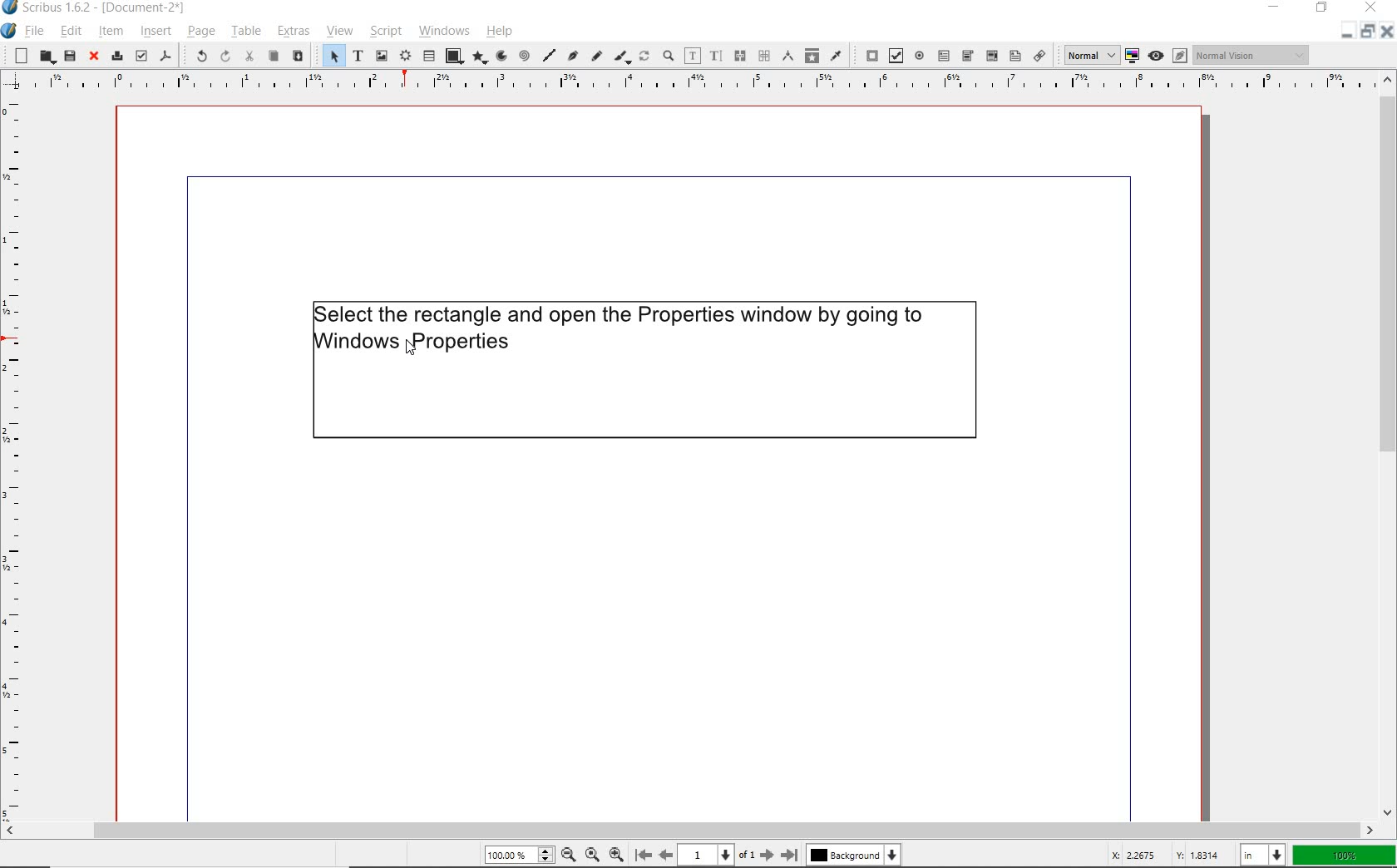 This screenshot has height=868, width=1397. I want to click on pdf check box, so click(895, 55).